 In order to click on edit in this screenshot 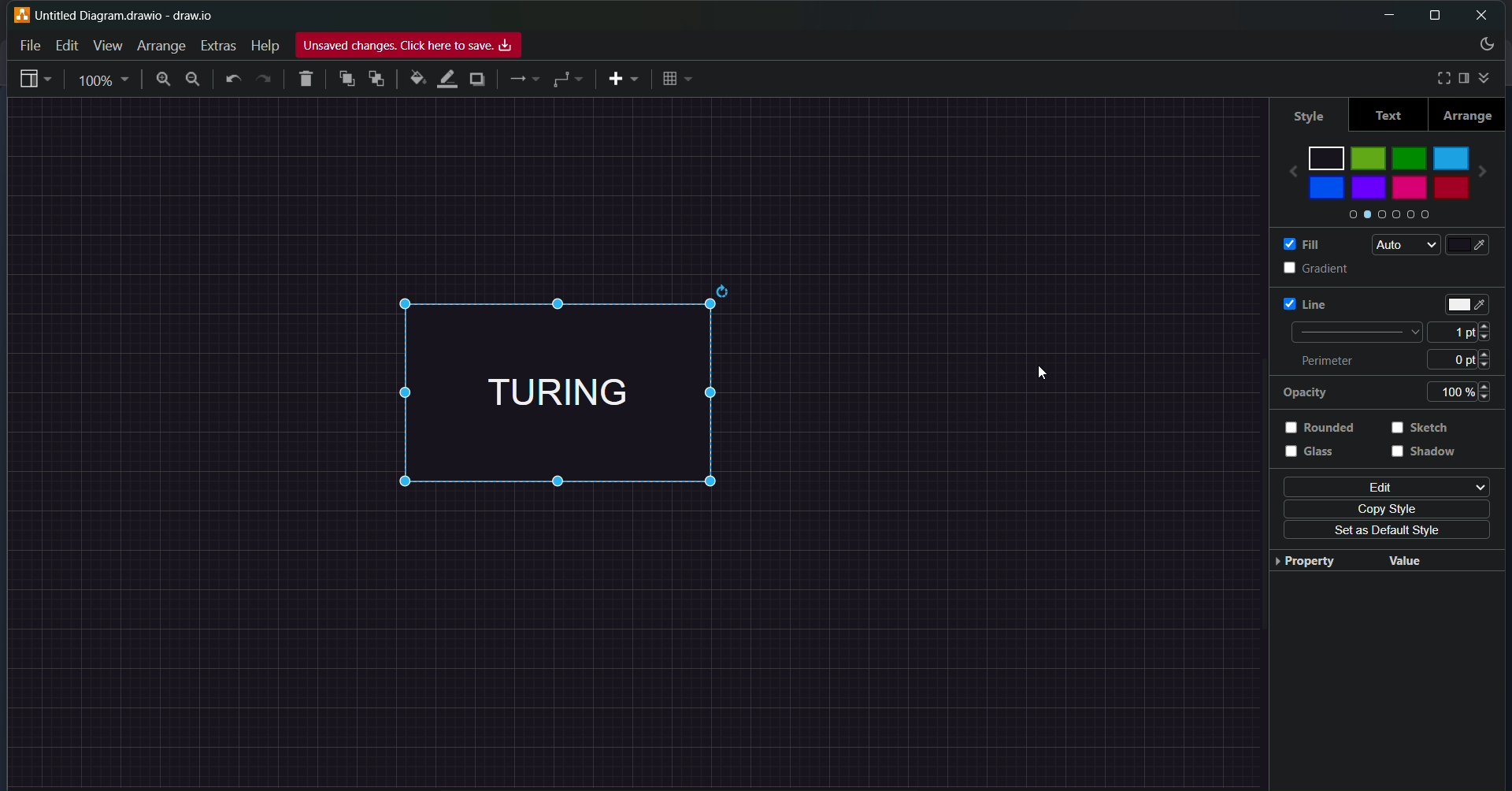, I will do `click(1382, 486)`.